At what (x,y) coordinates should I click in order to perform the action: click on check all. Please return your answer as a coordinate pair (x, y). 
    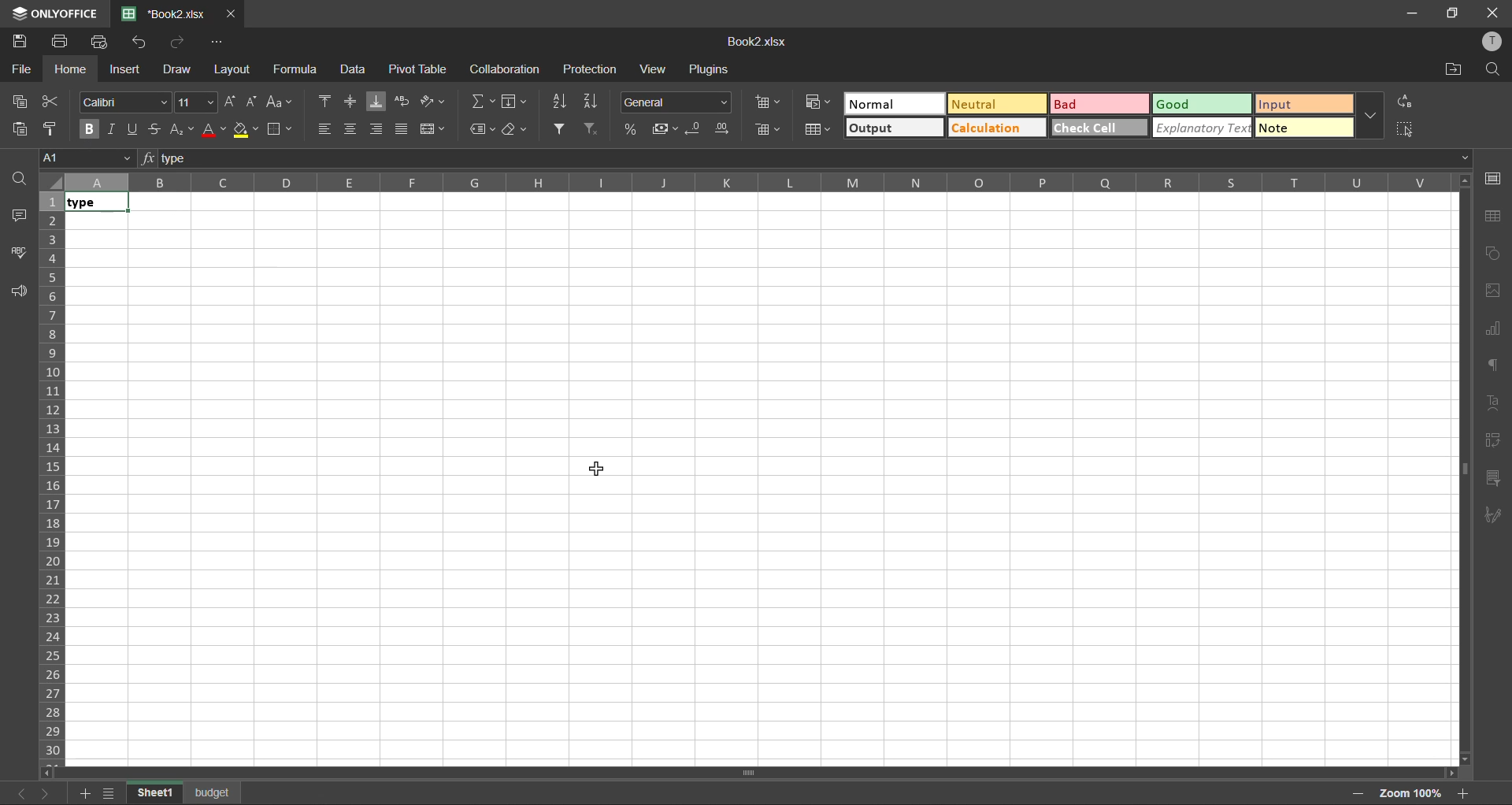
    Looking at the image, I should click on (1100, 127).